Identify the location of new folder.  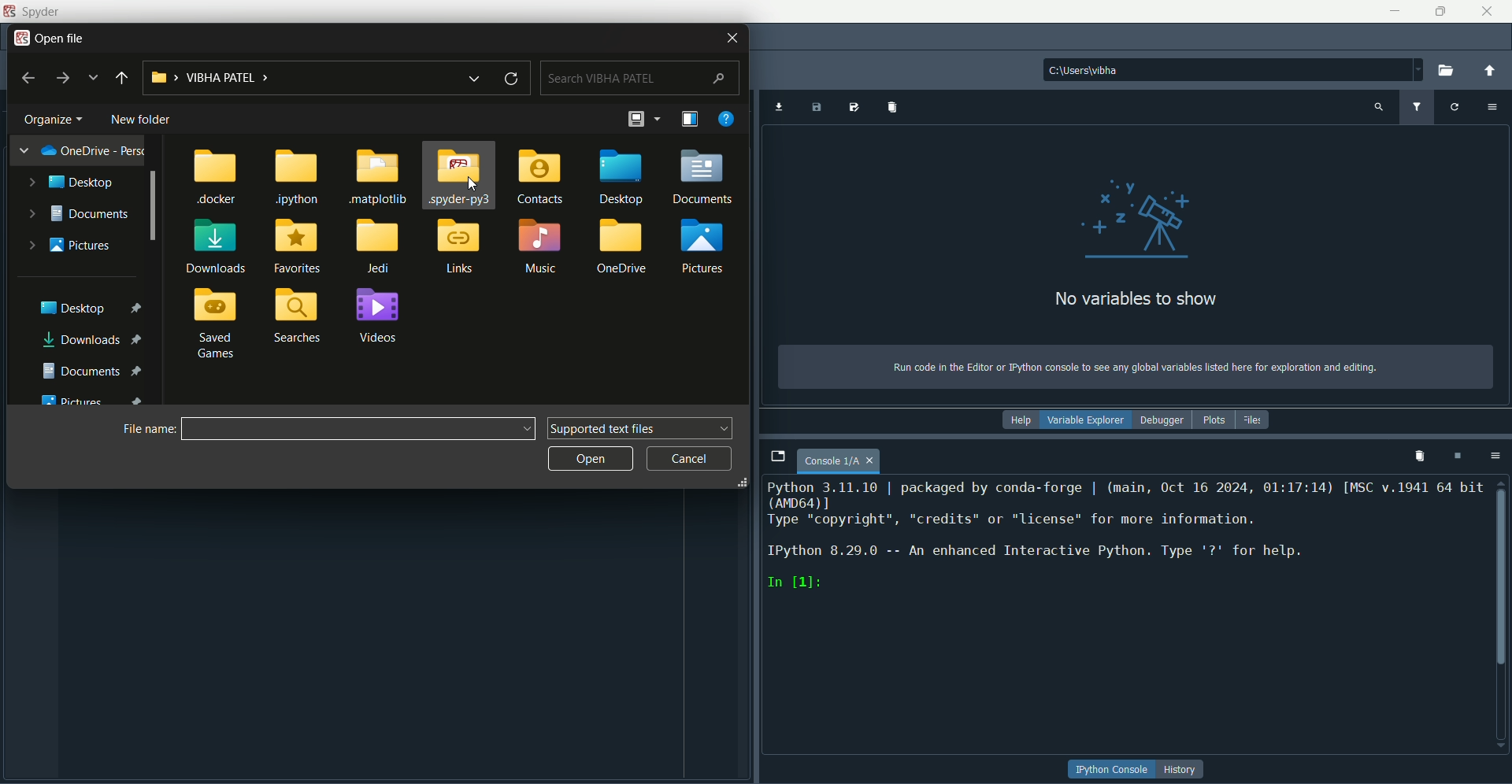
(141, 120).